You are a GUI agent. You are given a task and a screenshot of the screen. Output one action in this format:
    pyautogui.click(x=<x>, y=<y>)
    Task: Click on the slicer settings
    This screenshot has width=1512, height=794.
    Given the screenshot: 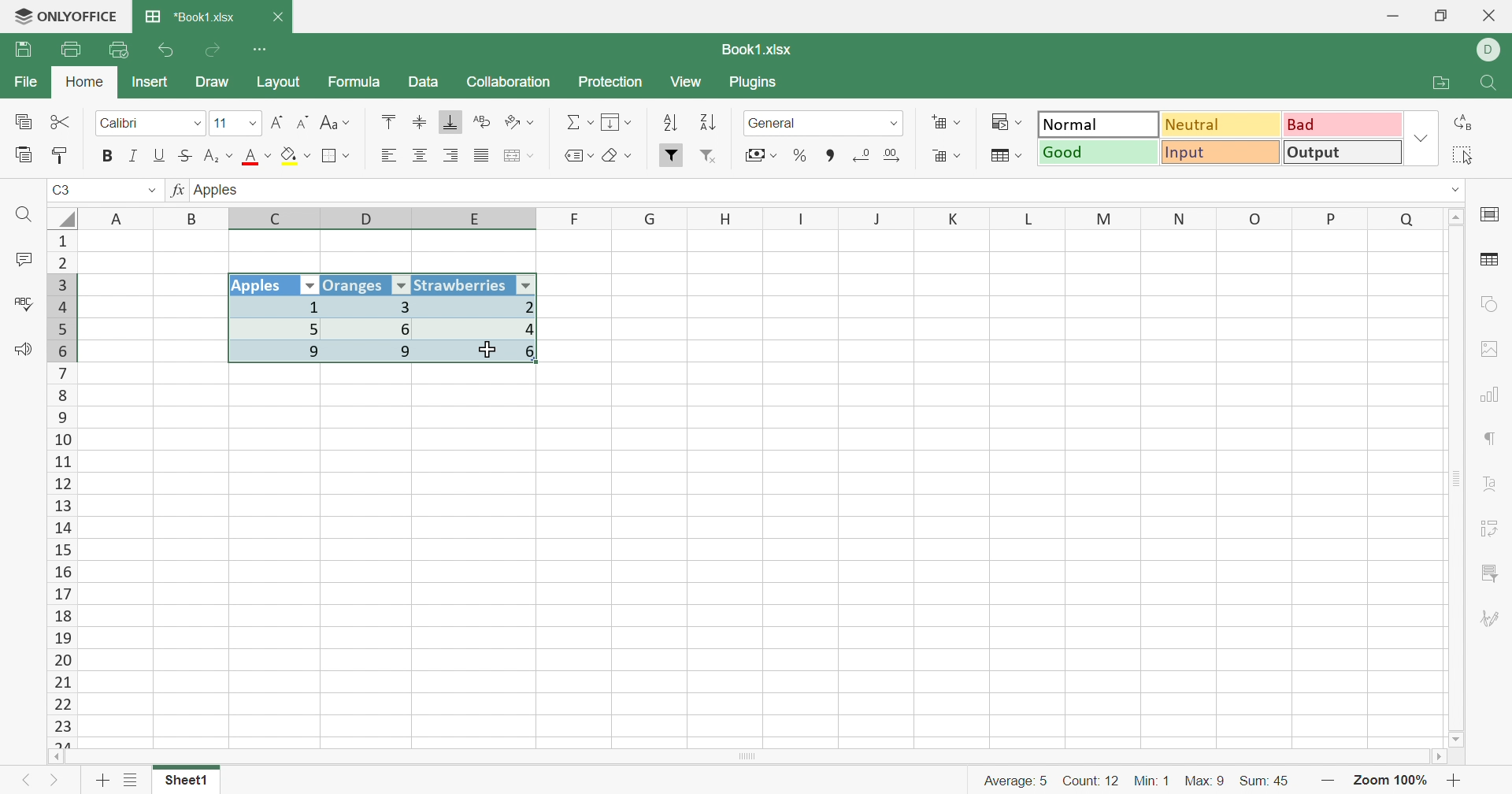 What is the action you would take?
    pyautogui.click(x=1490, y=570)
    